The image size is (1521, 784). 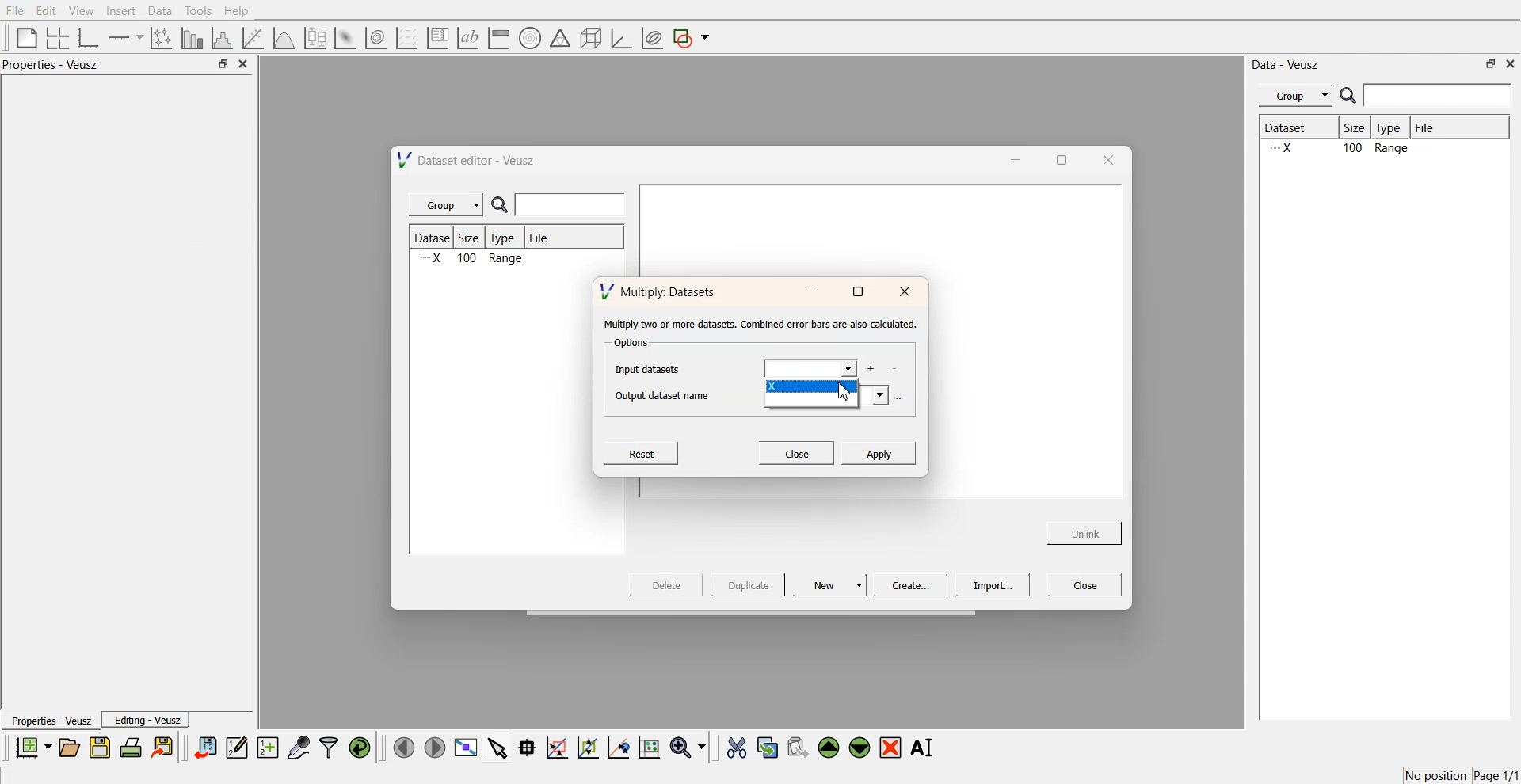 I want to click on add more, so click(x=873, y=368).